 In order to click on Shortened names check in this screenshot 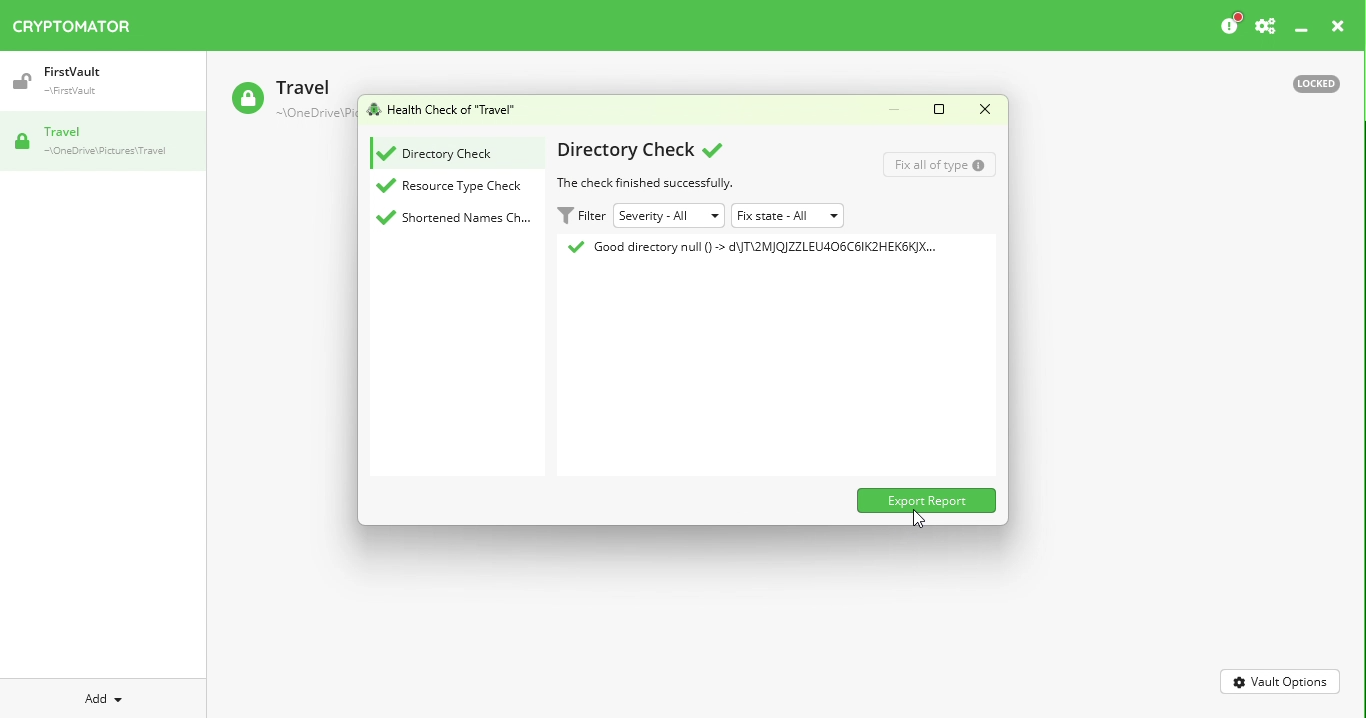, I will do `click(453, 218)`.